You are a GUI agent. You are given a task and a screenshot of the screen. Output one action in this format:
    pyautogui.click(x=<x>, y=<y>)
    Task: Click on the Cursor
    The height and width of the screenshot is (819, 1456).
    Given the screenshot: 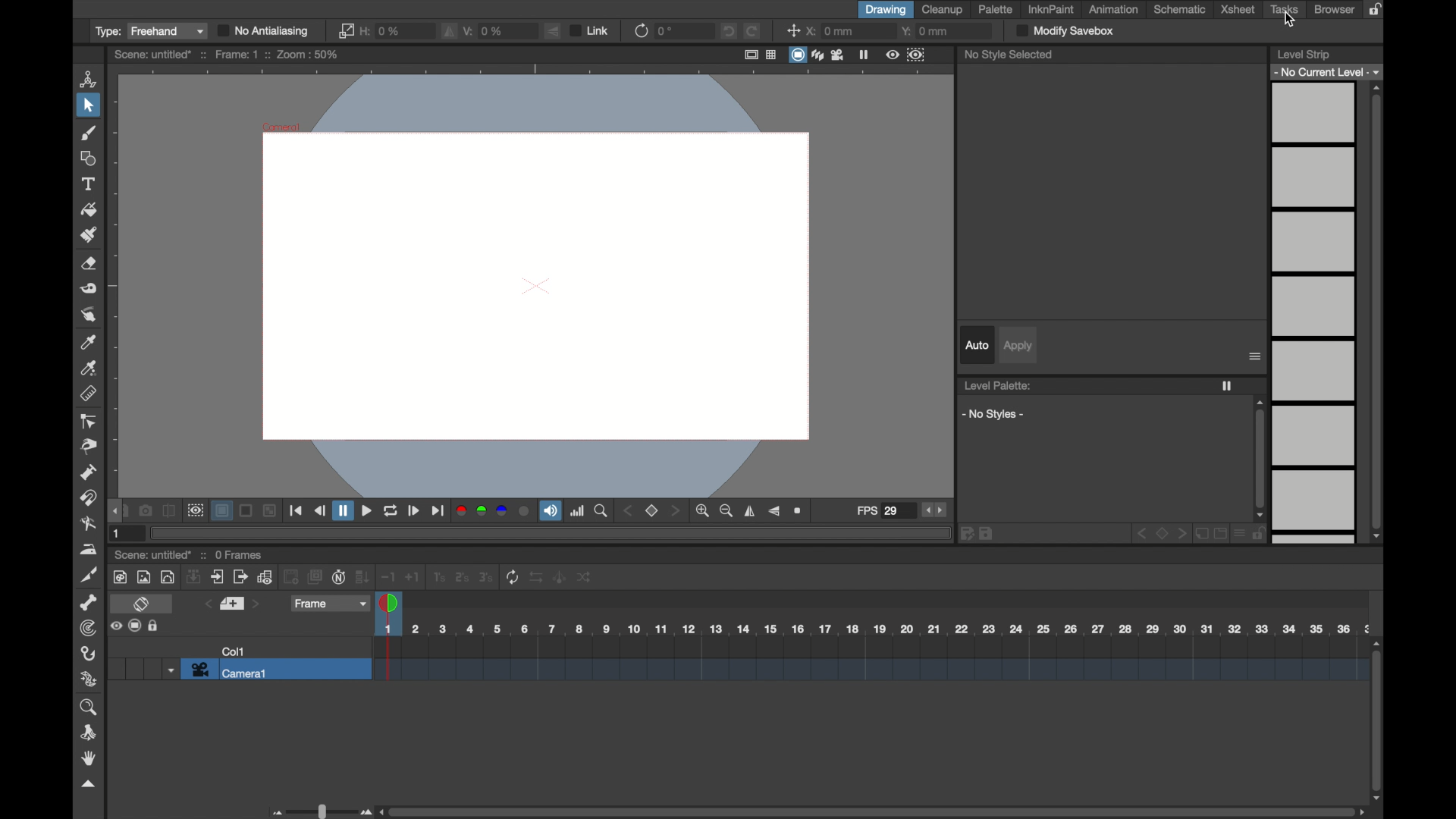 What is the action you would take?
    pyautogui.click(x=1291, y=23)
    